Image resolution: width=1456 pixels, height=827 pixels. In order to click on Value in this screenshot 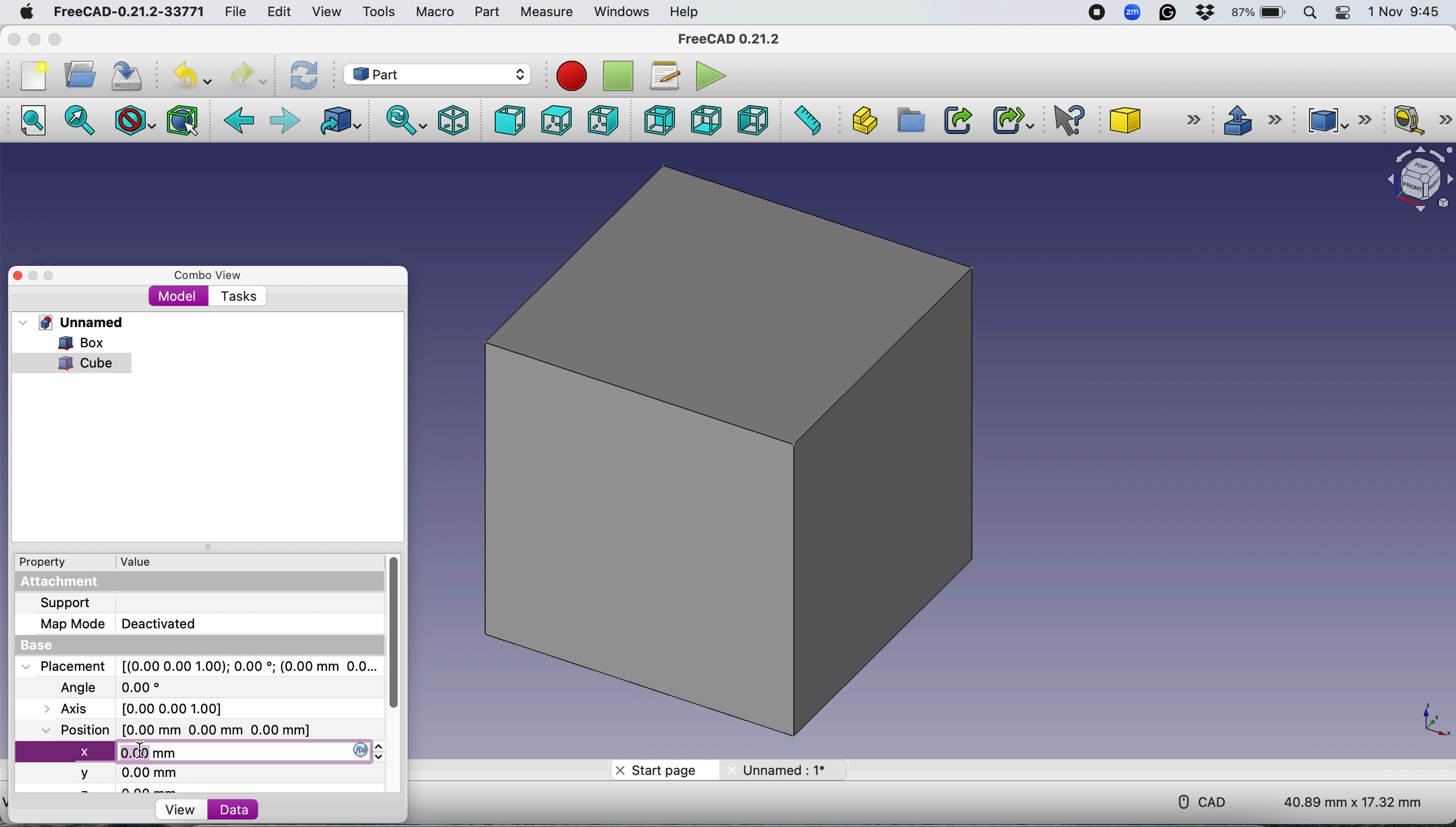, I will do `click(140, 561)`.